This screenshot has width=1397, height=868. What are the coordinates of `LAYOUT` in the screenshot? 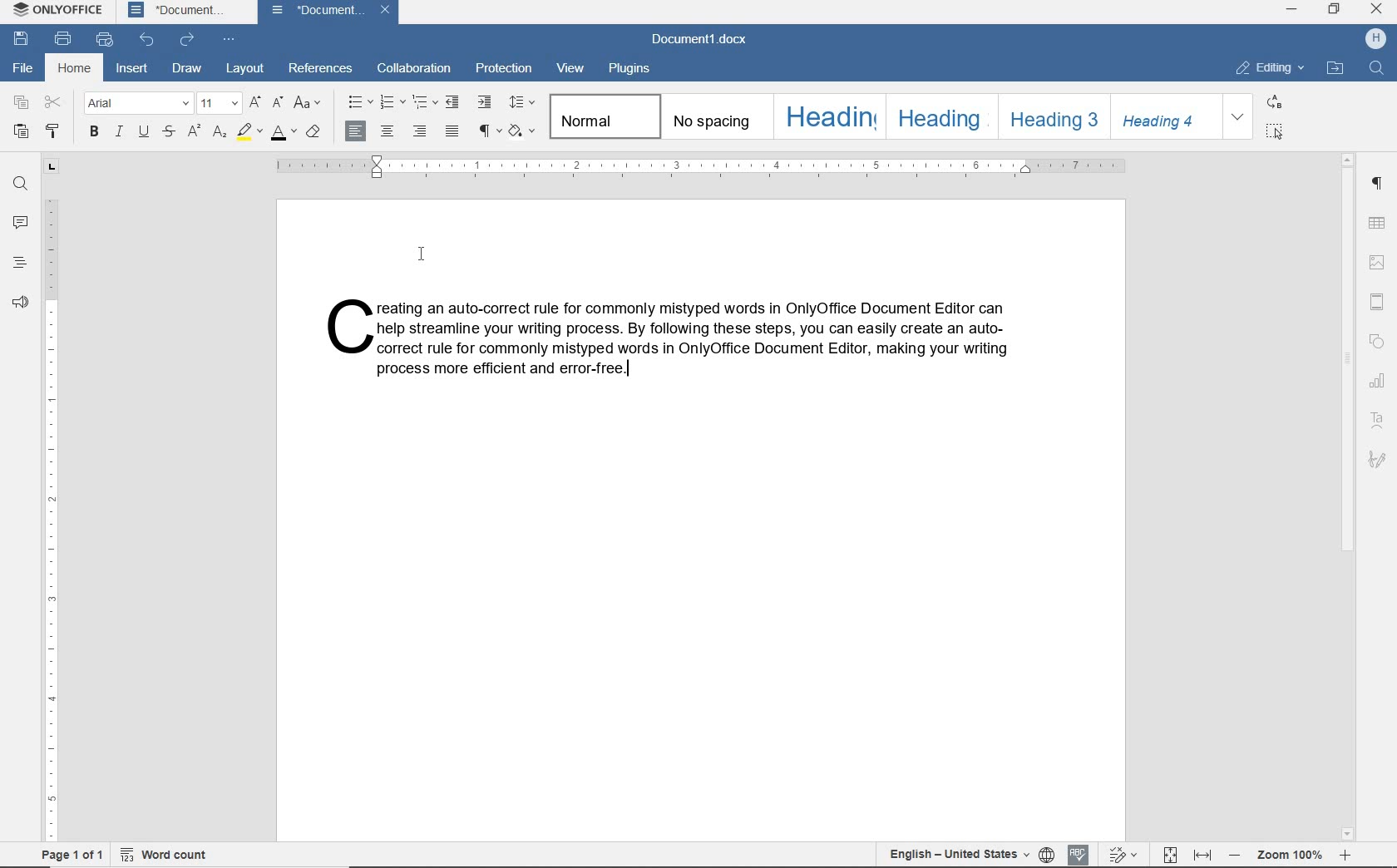 It's located at (245, 68).